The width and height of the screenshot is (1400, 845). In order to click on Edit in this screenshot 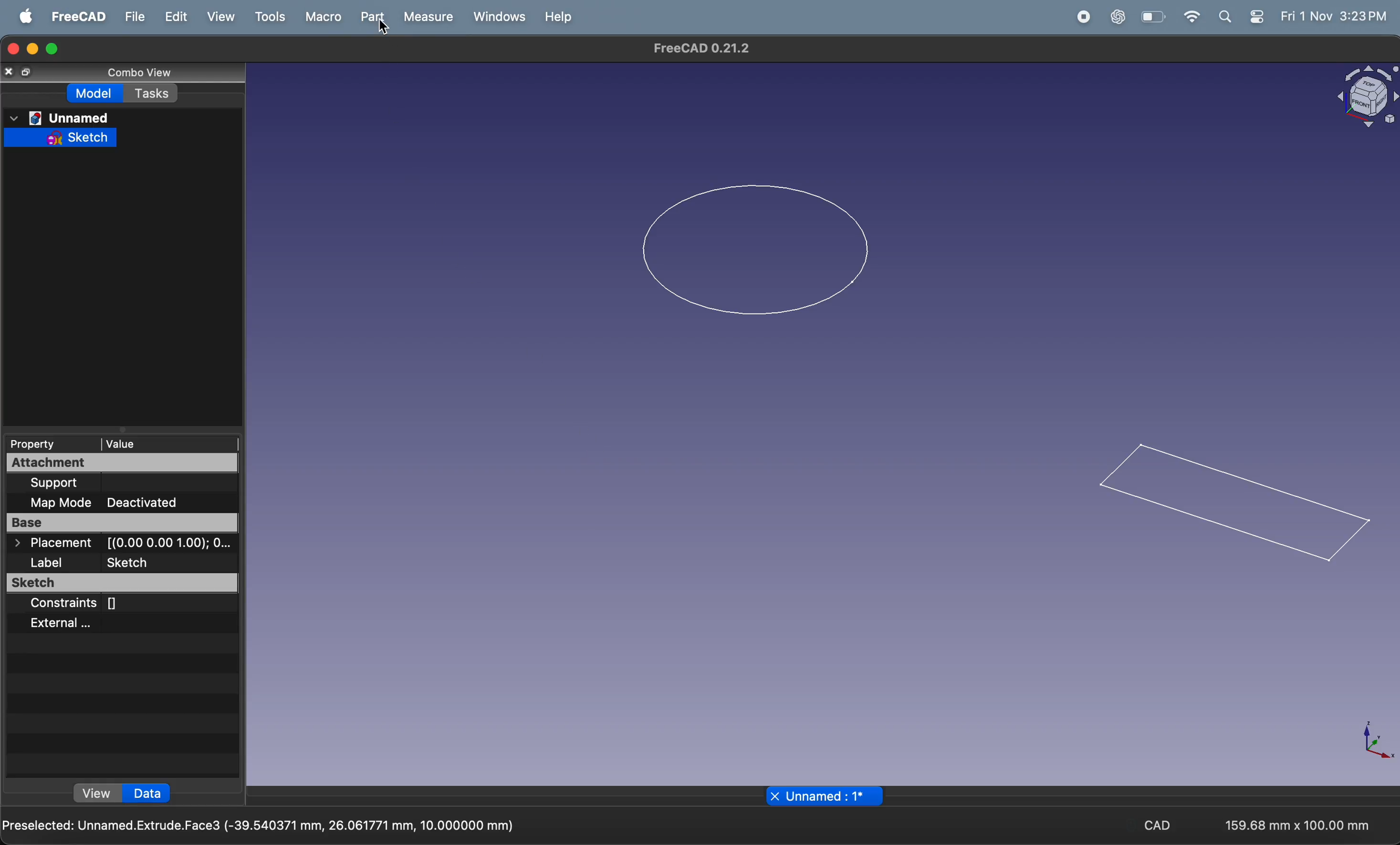, I will do `click(176, 16)`.